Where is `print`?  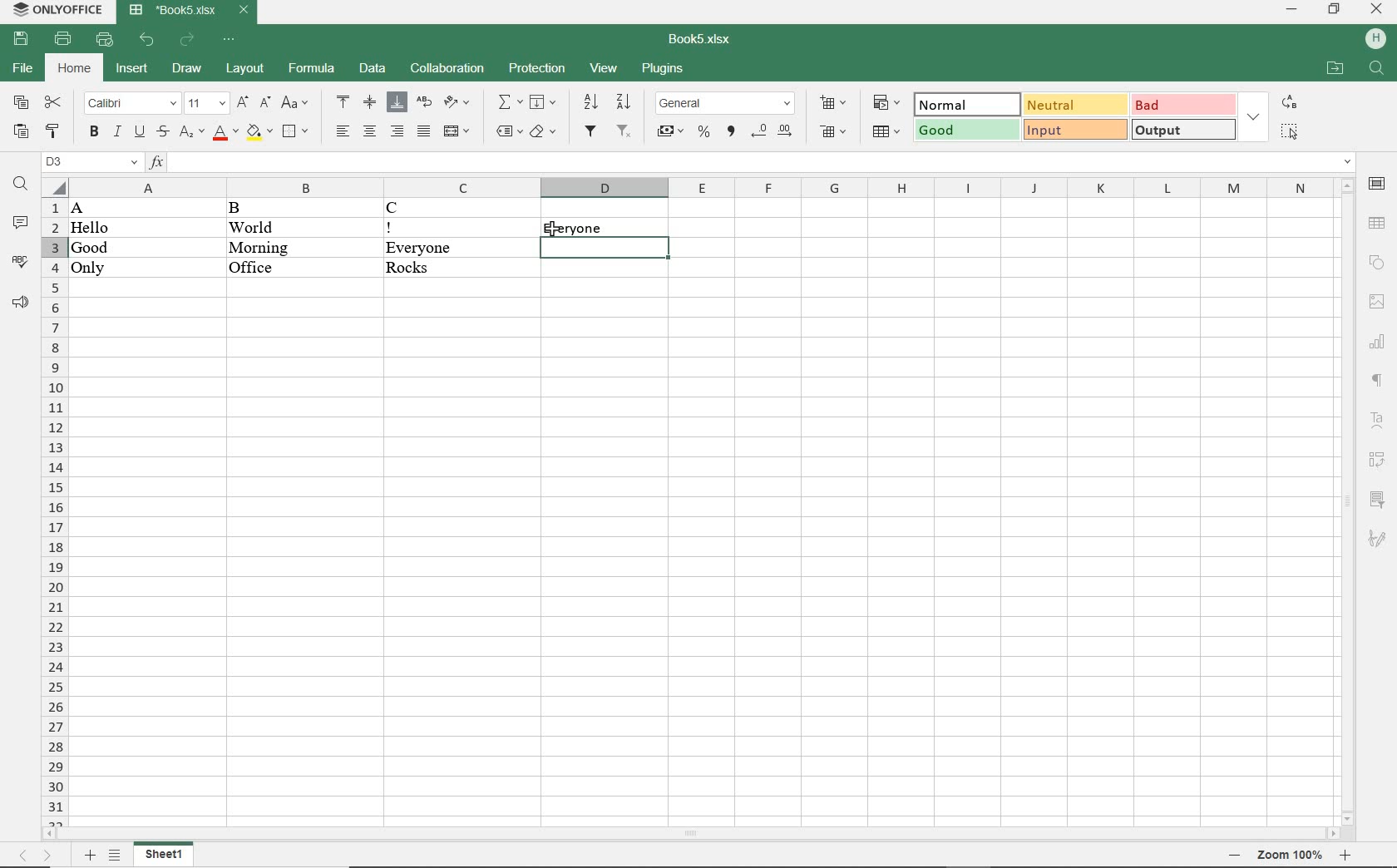
print is located at coordinates (64, 38).